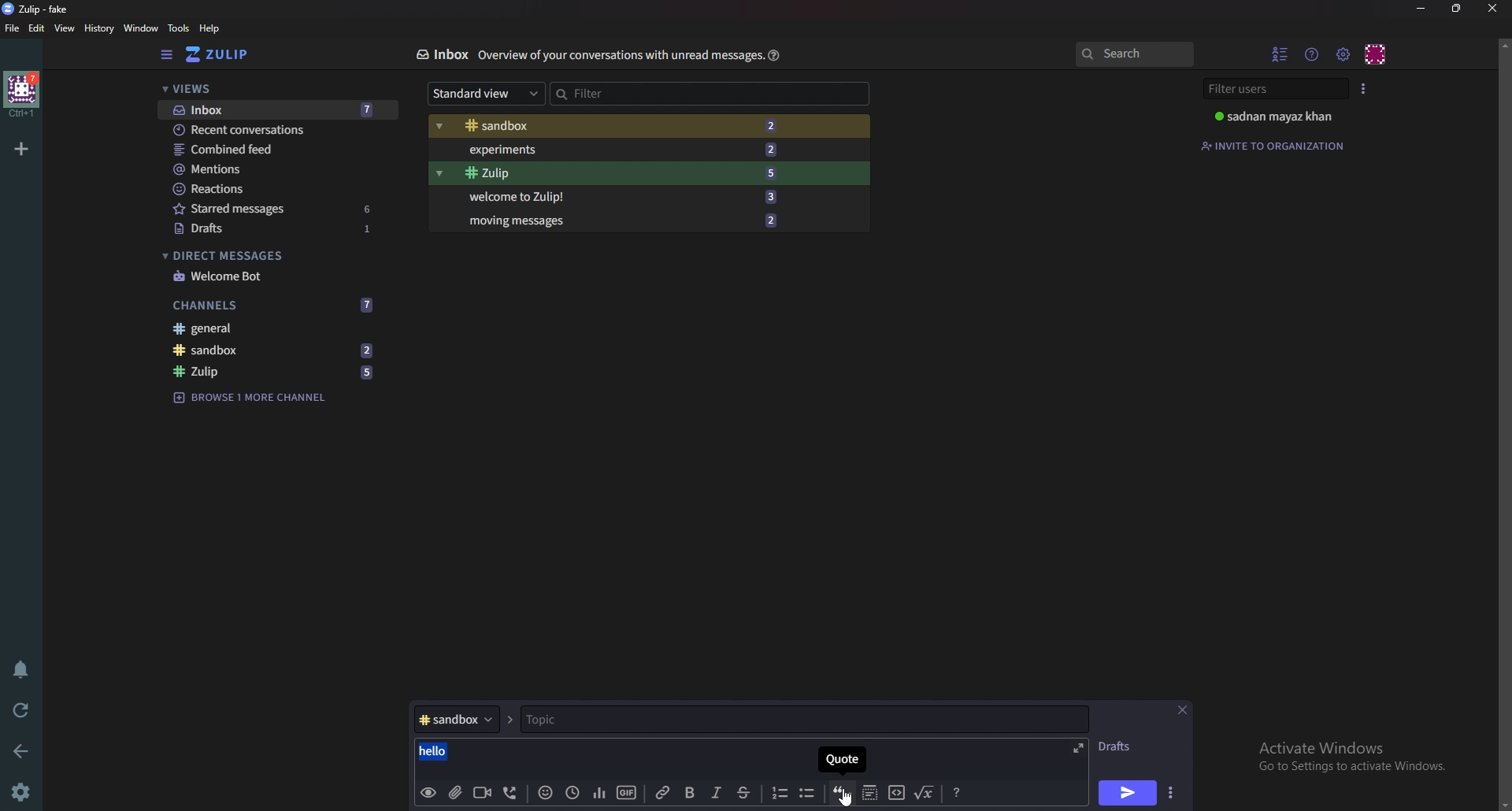  I want to click on Enable do not disturb, so click(19, 670).